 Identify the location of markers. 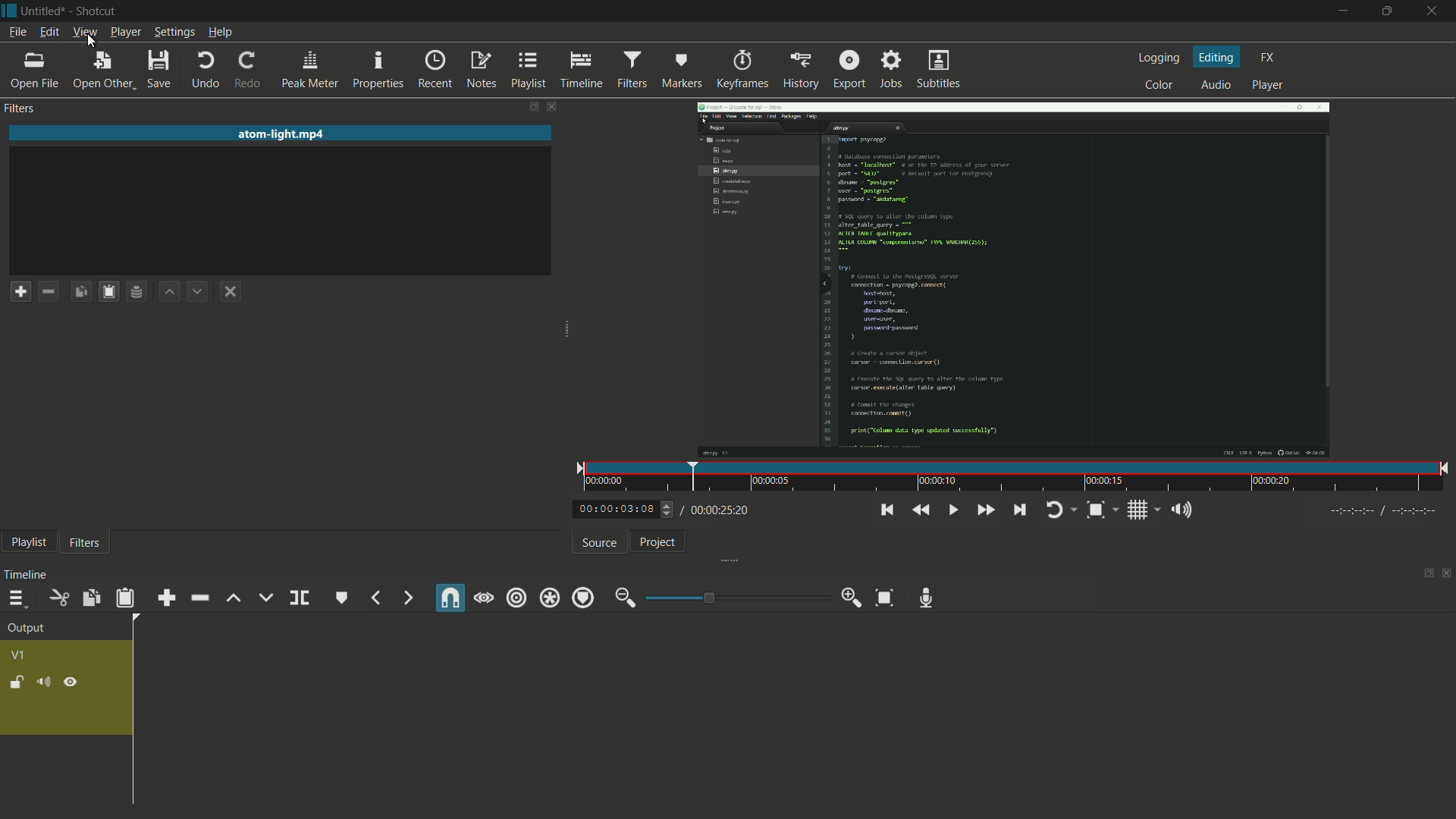
(681, 69).